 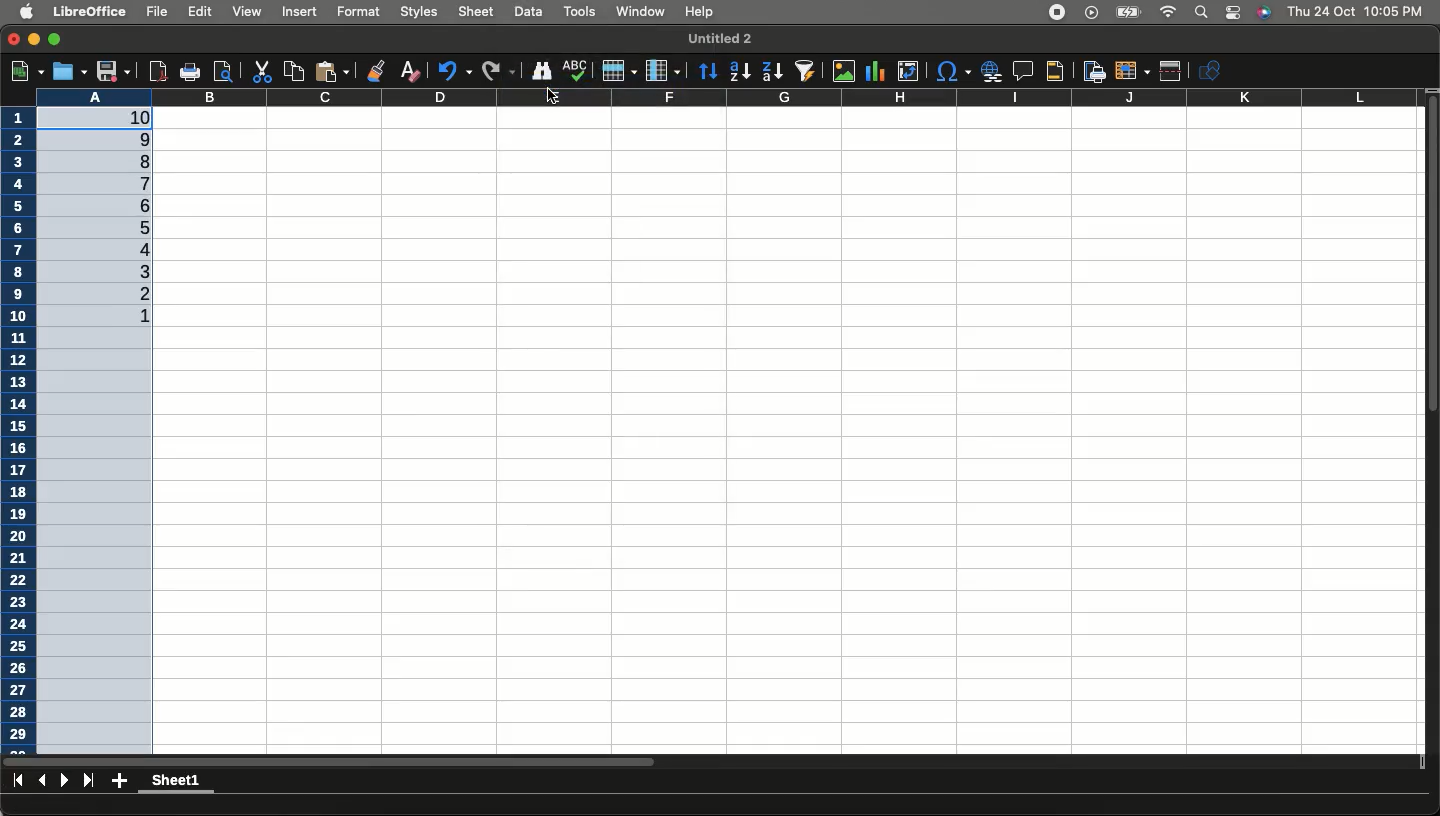 What do you see at coordinates (222, 71) in the screenshot?
I see `Toggle preview` at bounding box center [222, 71].